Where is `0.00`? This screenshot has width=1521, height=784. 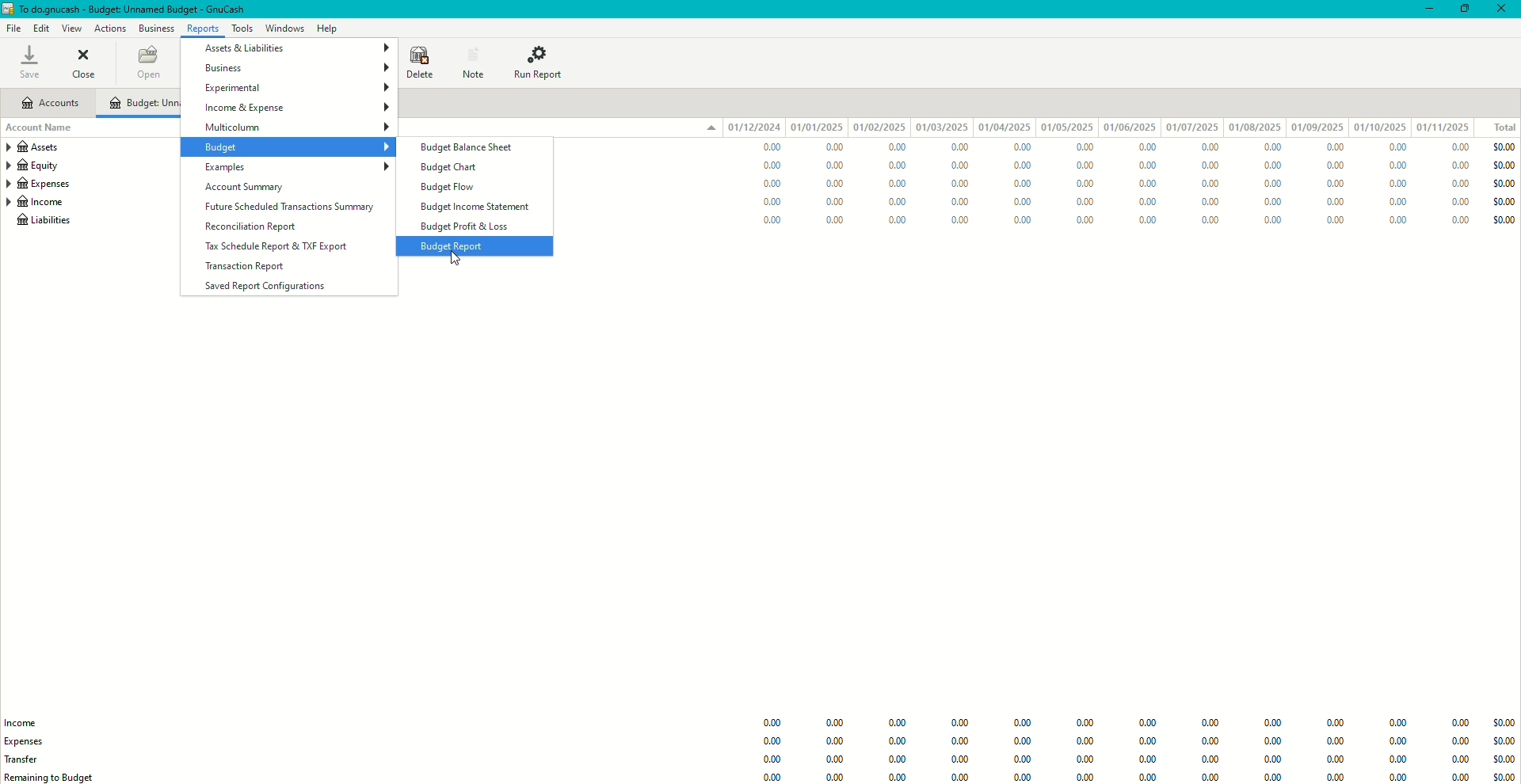 0.00 is located at coordinates (1149, 776).